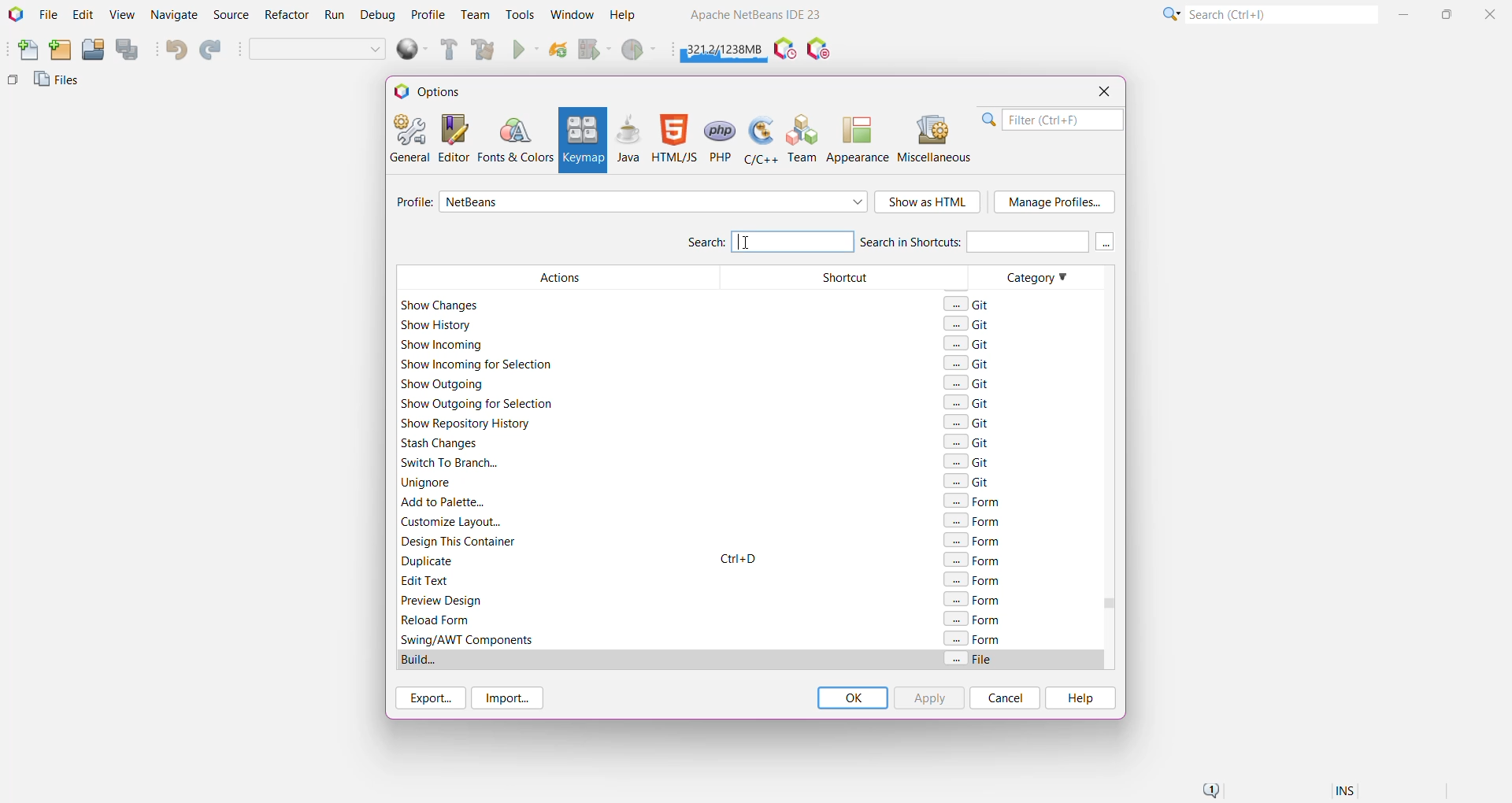 This screenshot has width=1512, height=803. Describe the element at coordinates (936, 139) in the screenshot. I see `Miscellaneous` at that location.